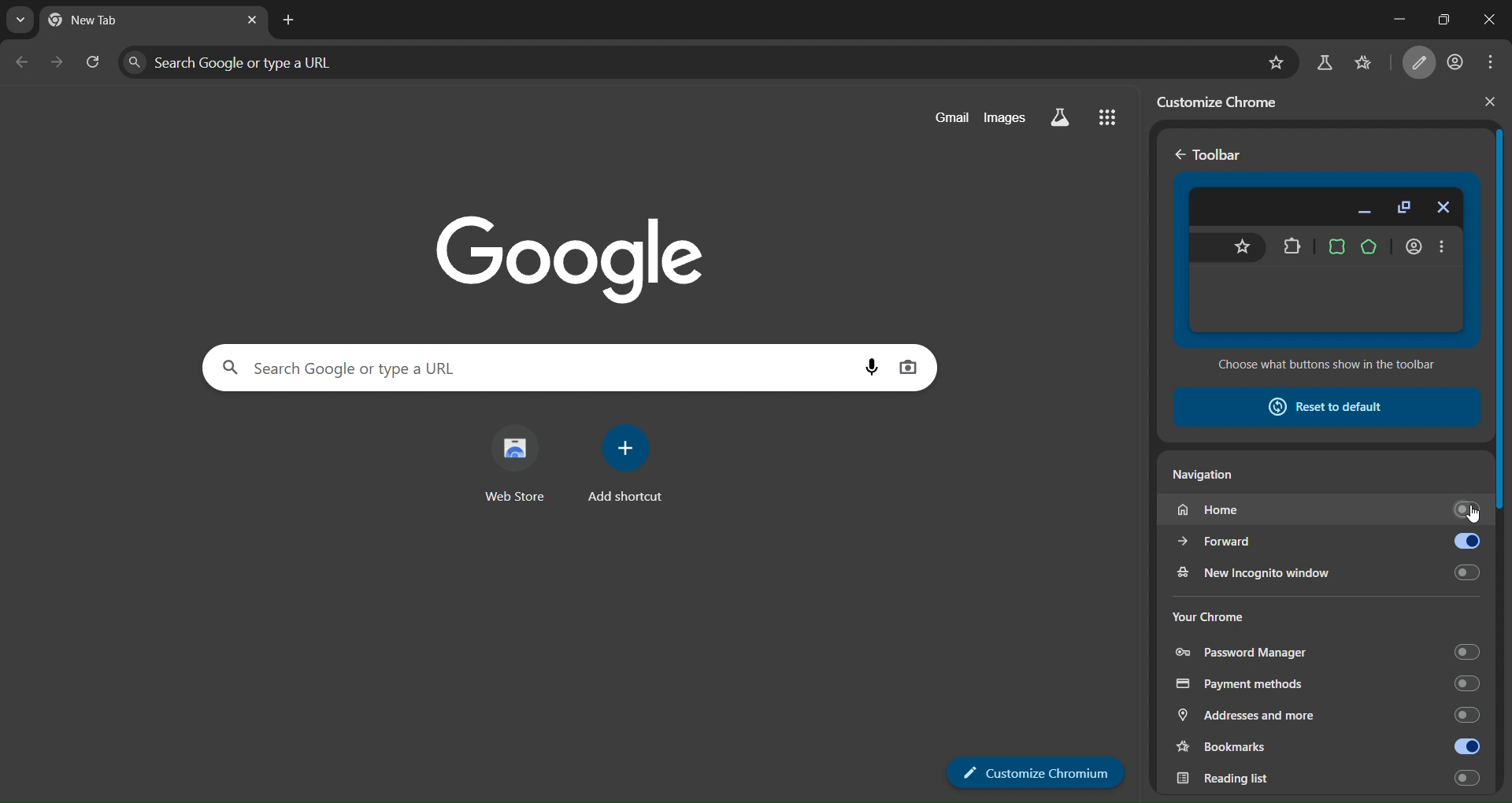  Describe the element at coordinates (1458, 60) in the screenshot. I see `account` at that location.